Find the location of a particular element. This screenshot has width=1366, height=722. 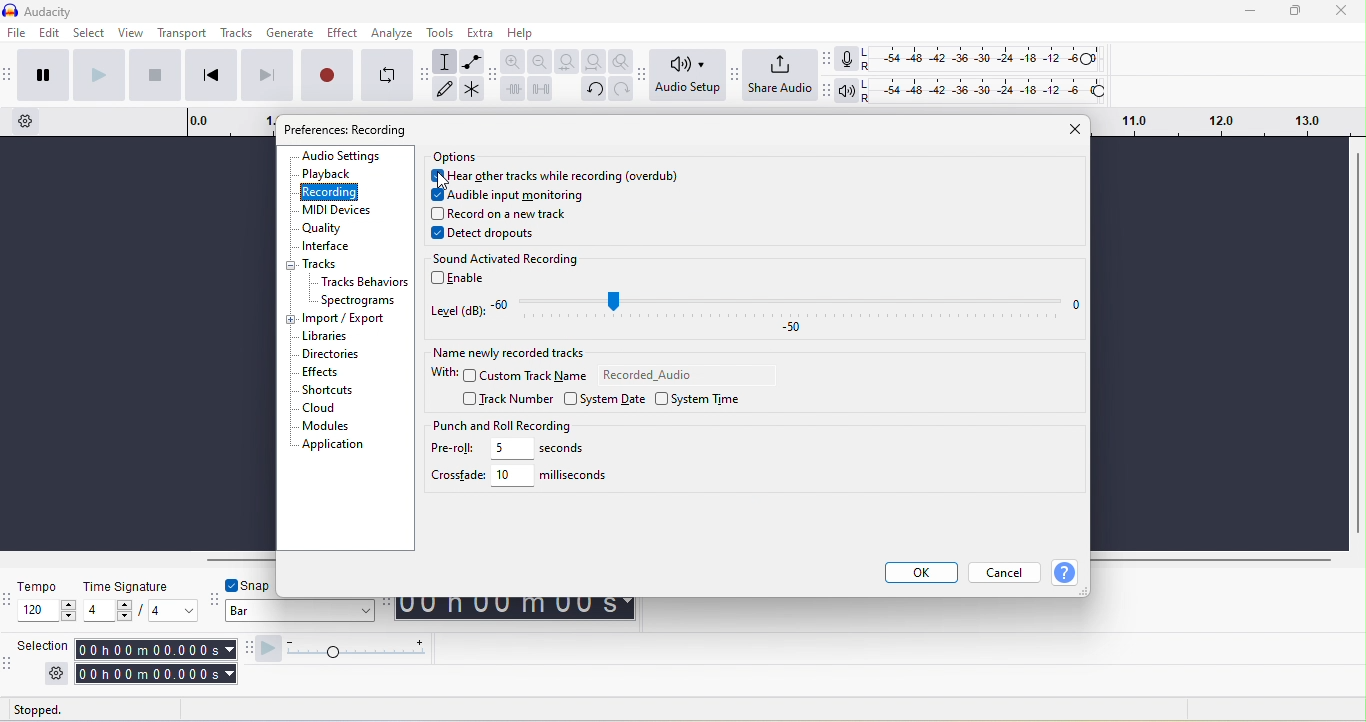

pre-roll is located at coordinates (452, 449).